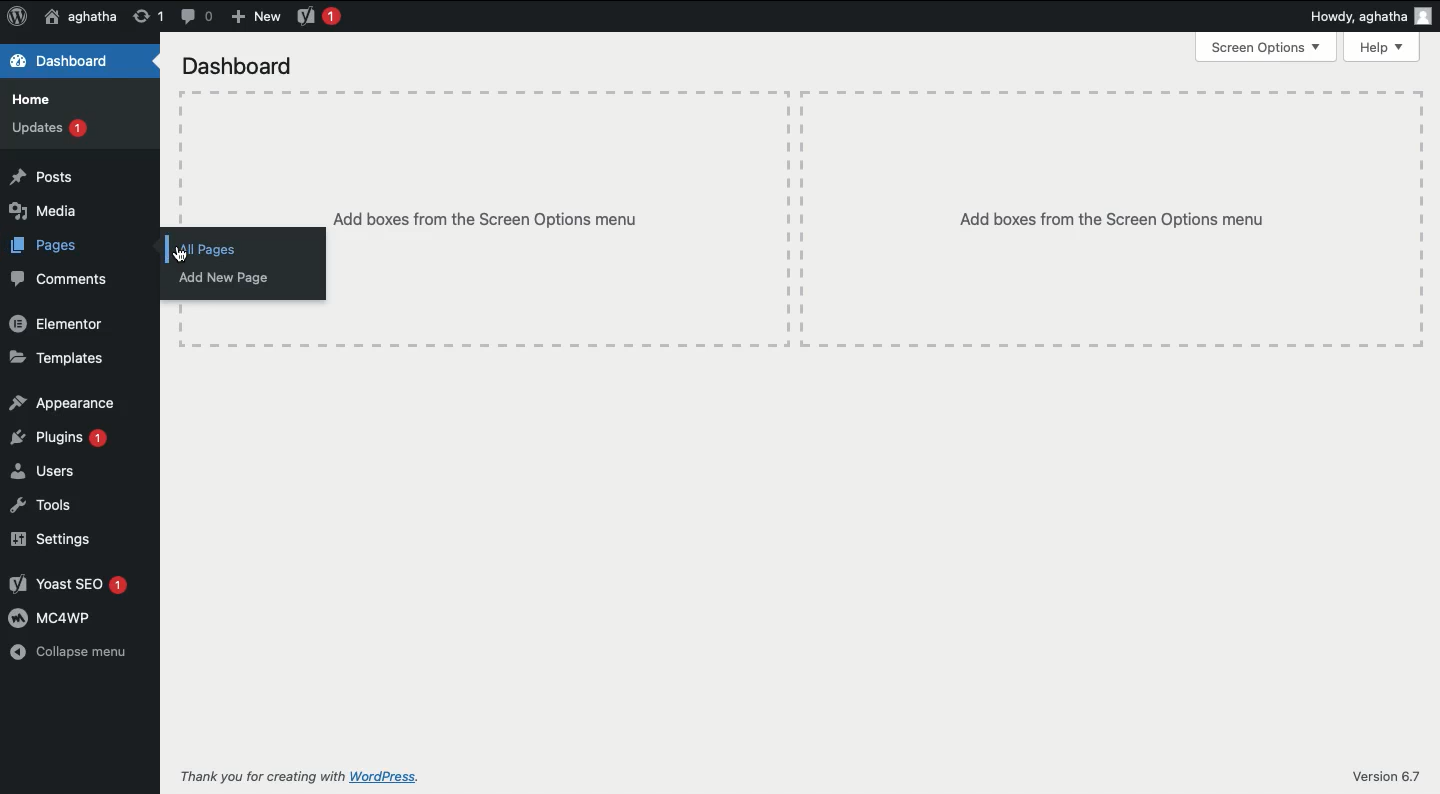  What do you see at coordinates (62, 61) in the screenshot?
I see `Dashboard` at bounding box center [62, 61].